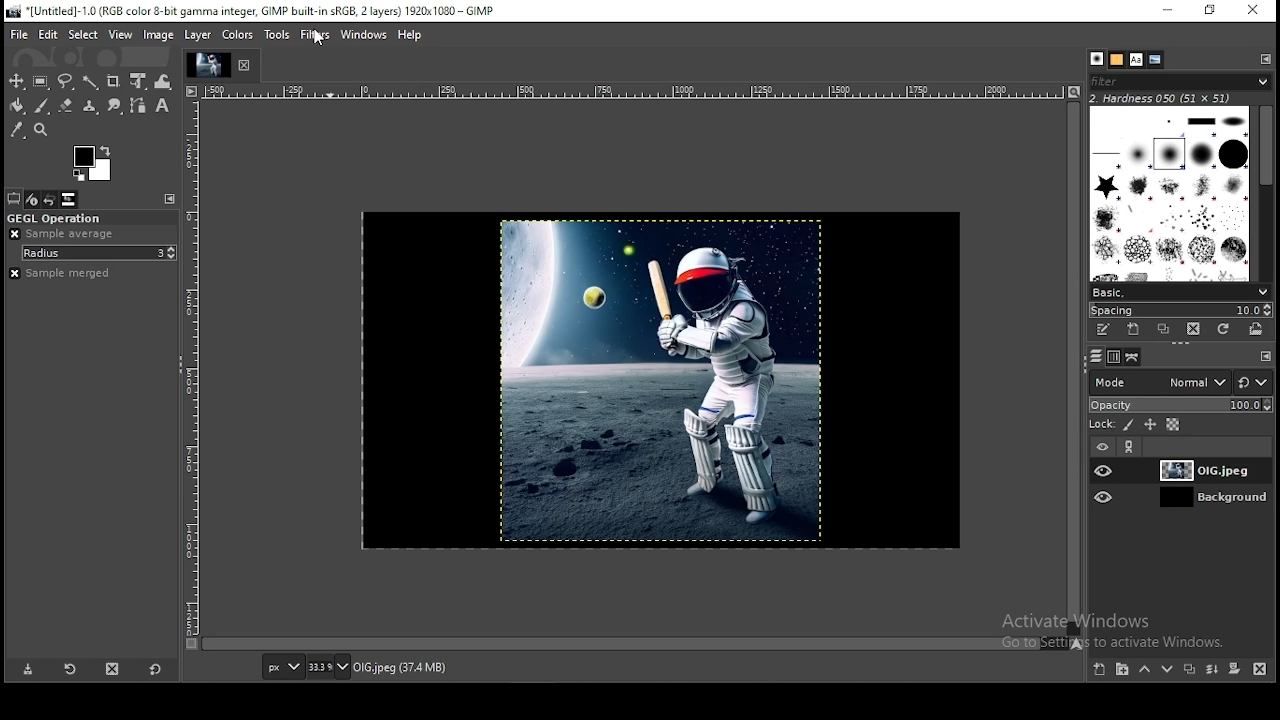  What do you see at coordinates (1074, 369) in the screenshot?
I see `scroll bar` at bounding box center [1074, 369].